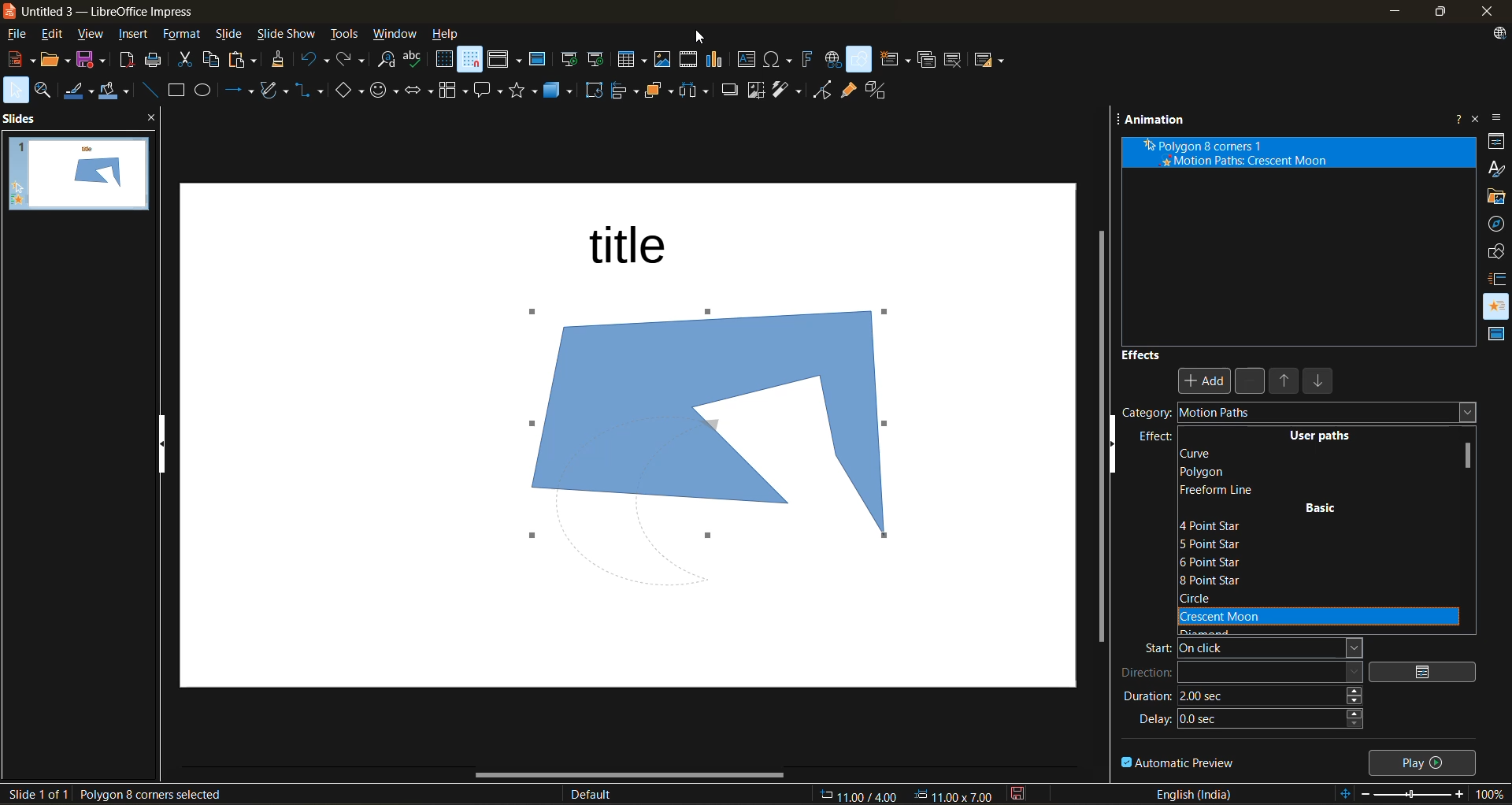  I want to click on slide show, so click(286, 35).